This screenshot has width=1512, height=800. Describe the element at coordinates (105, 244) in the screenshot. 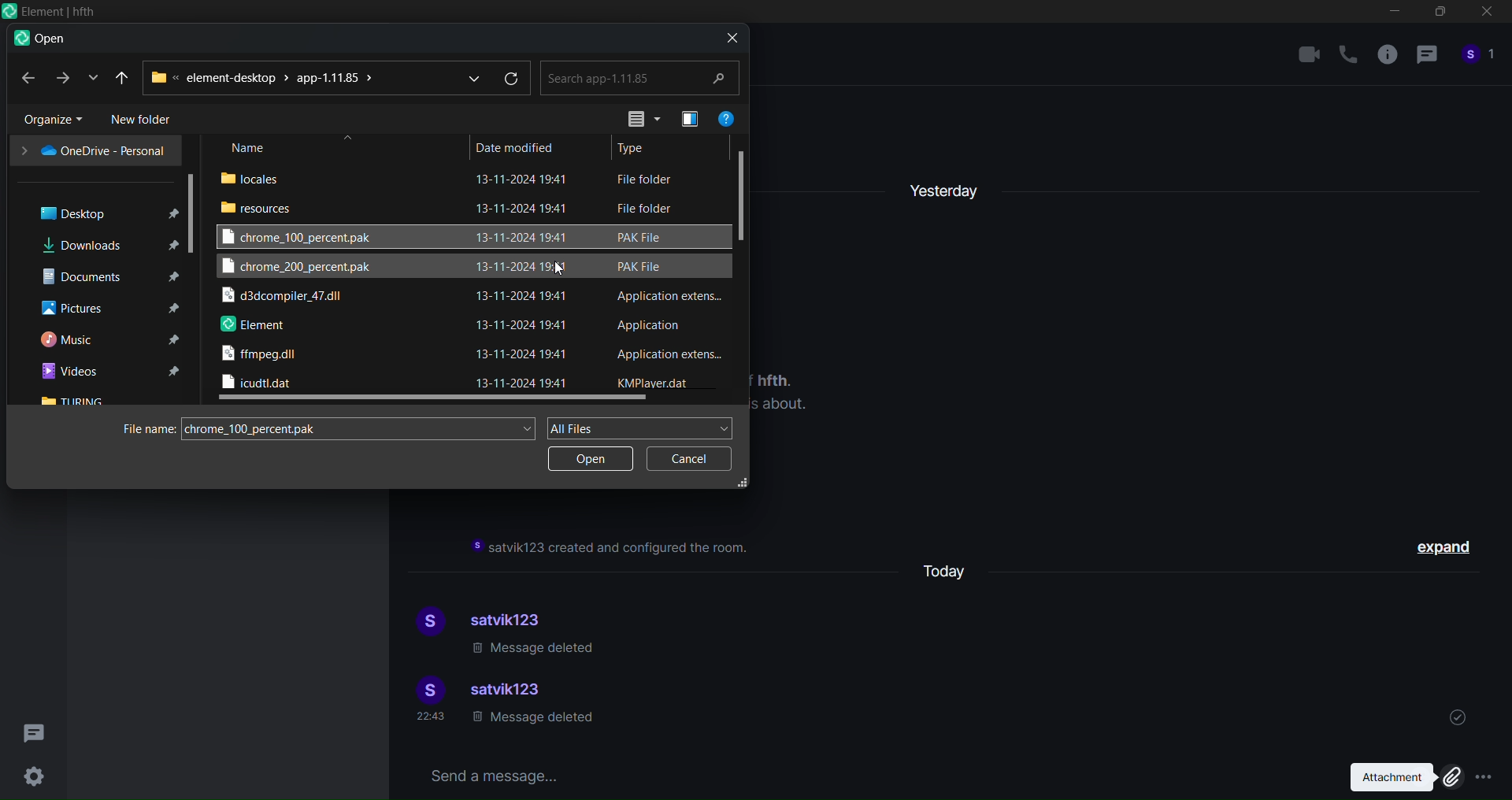

I see `downloads` at that location.